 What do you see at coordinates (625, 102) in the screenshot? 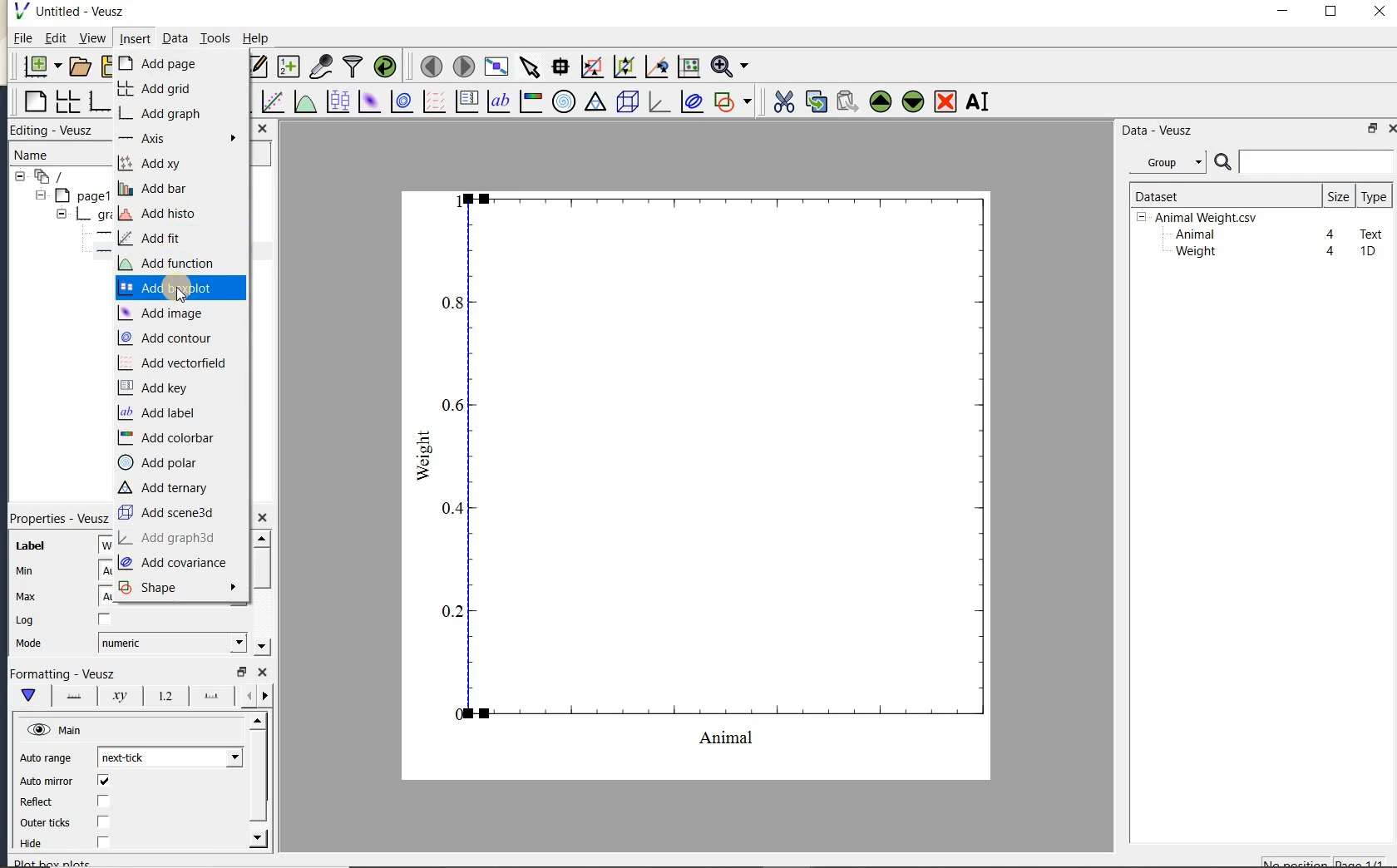
I see `3d scene` at bounding box center [625, 102].